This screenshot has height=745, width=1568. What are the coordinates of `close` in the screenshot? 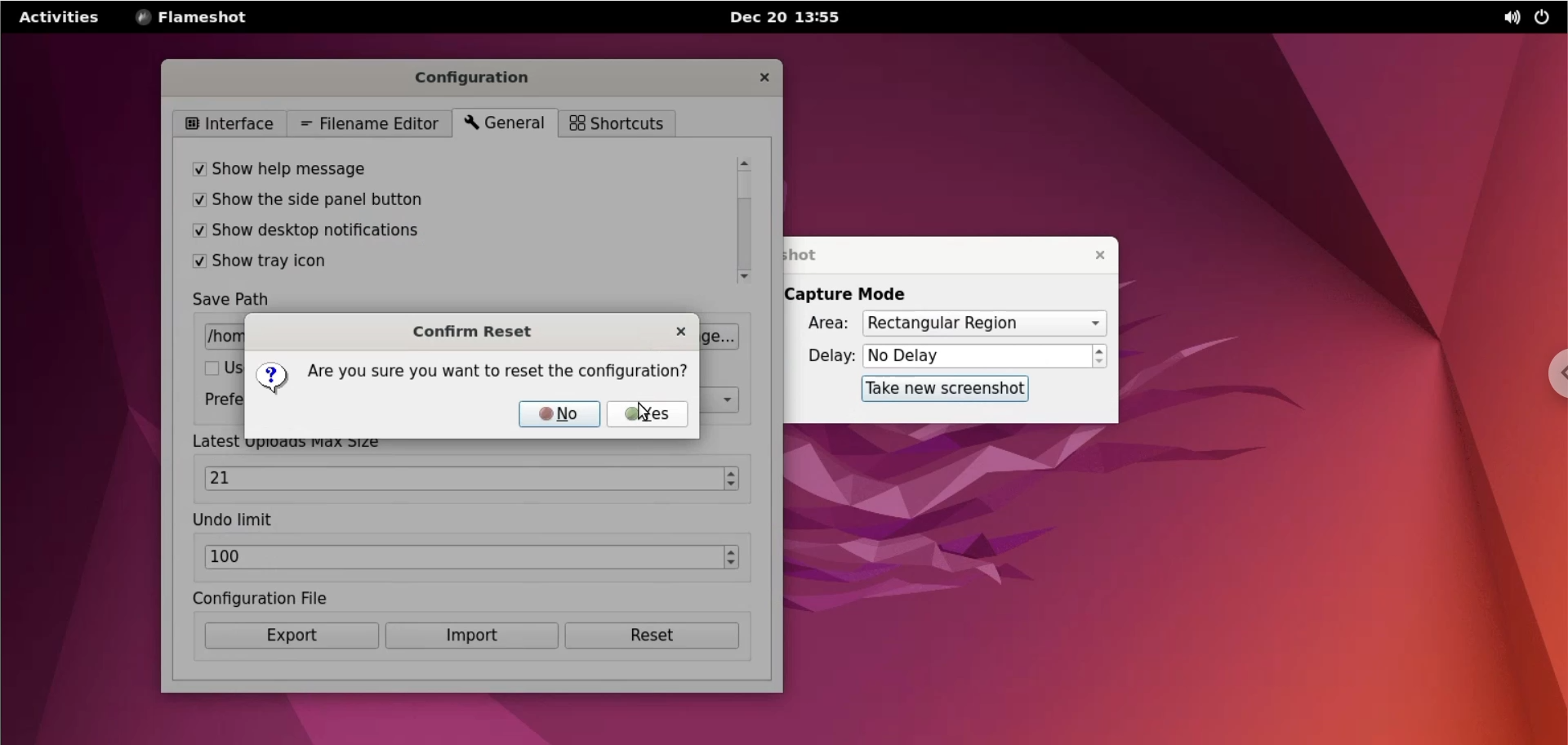 It's located at (1097, 256).